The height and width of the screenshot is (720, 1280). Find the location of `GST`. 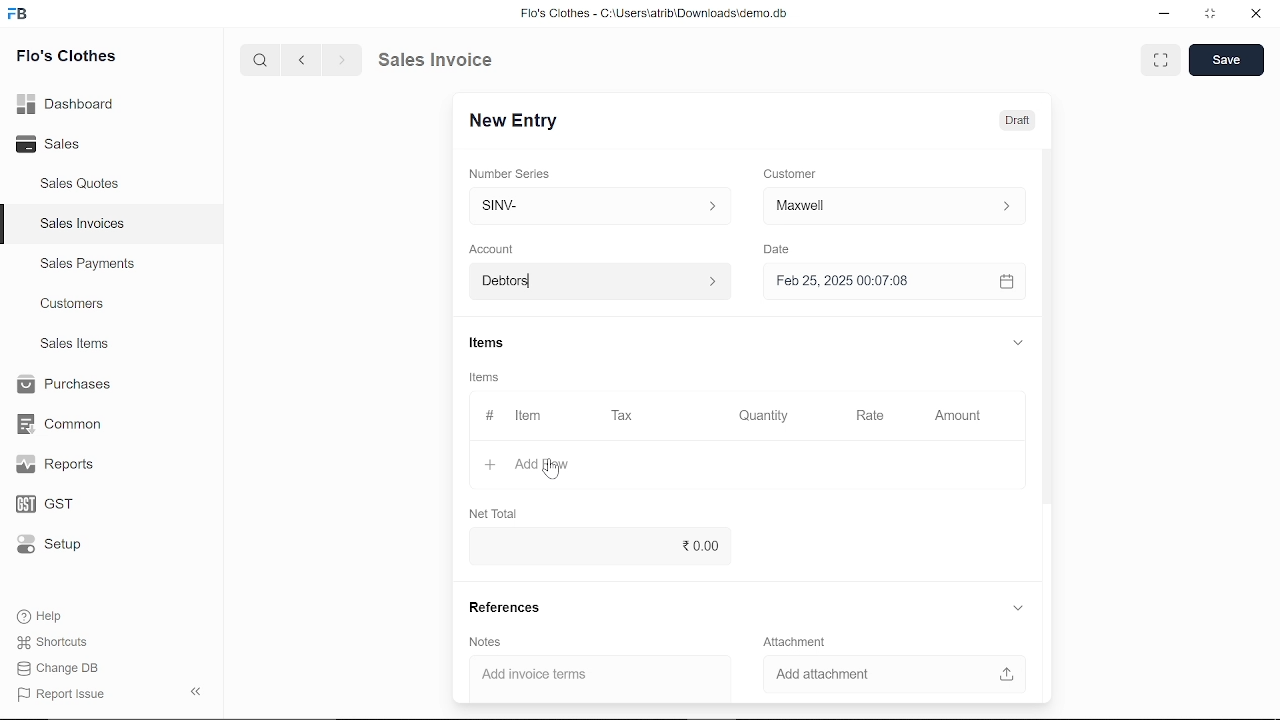

GST is located at coordinates (55, 501).